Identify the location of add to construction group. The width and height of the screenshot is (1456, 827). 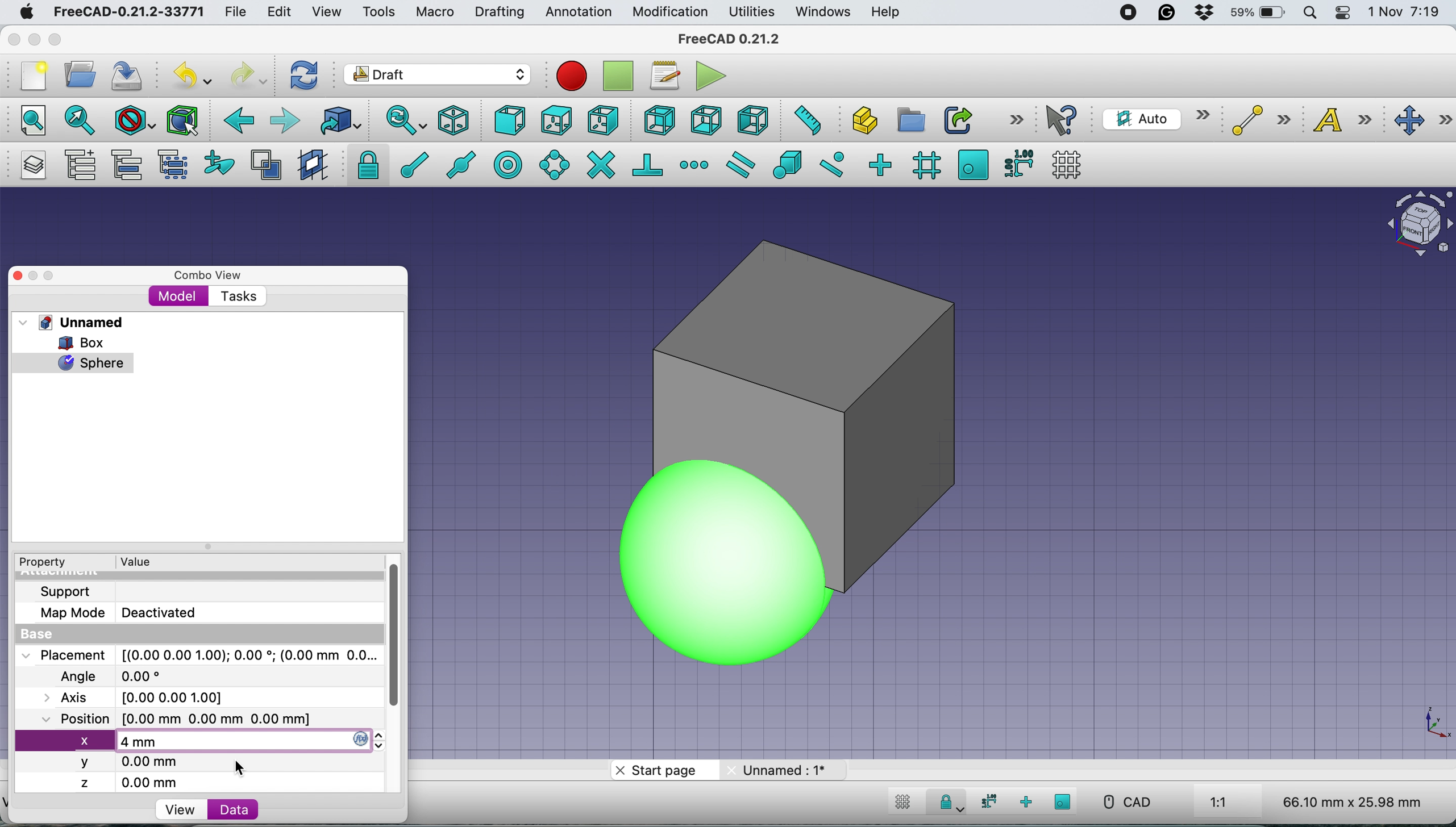
(222, 164).